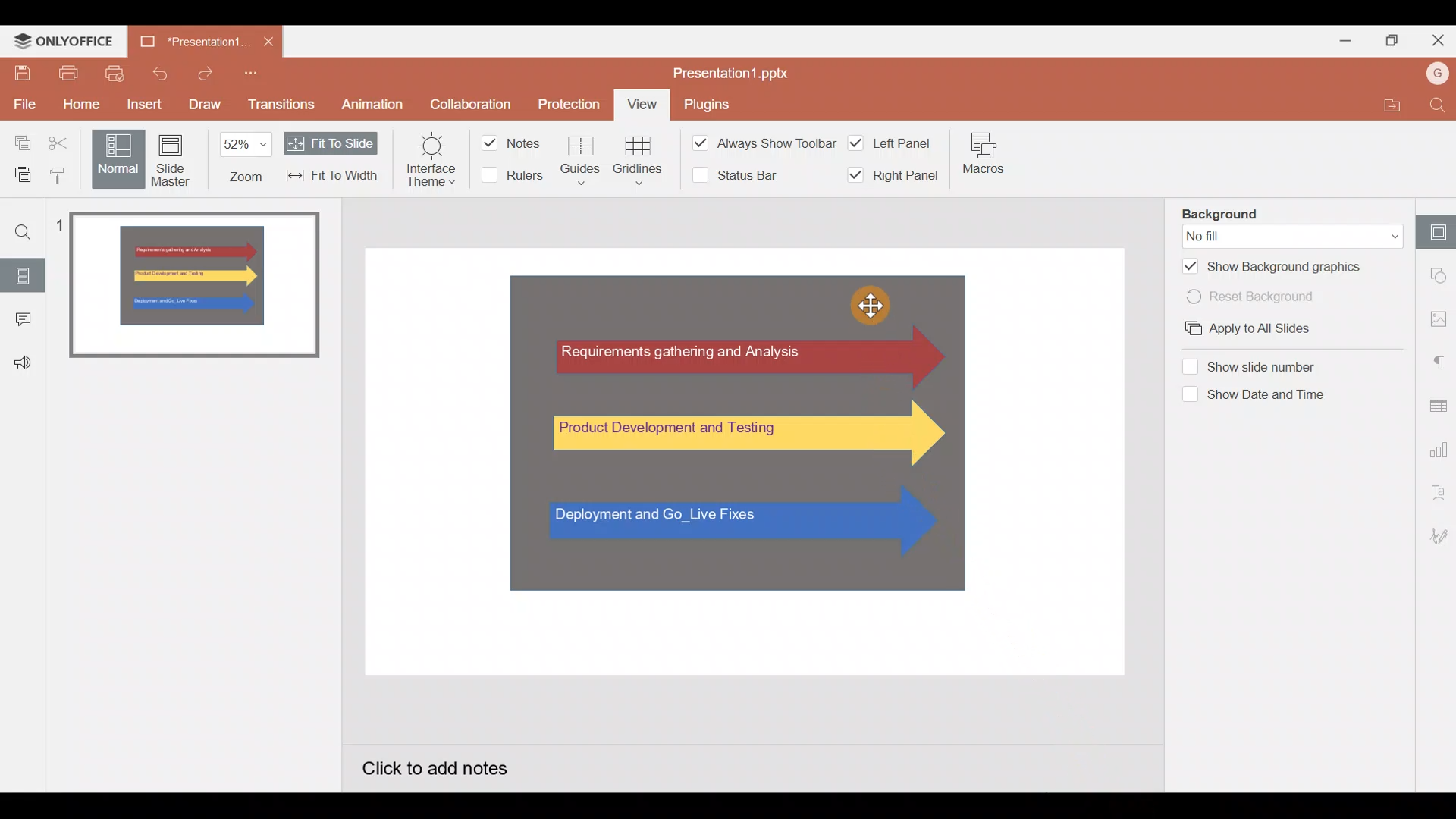 The width and height of the screenshot is (1456, 819). I want to click on Left panel, so click(891, 141).